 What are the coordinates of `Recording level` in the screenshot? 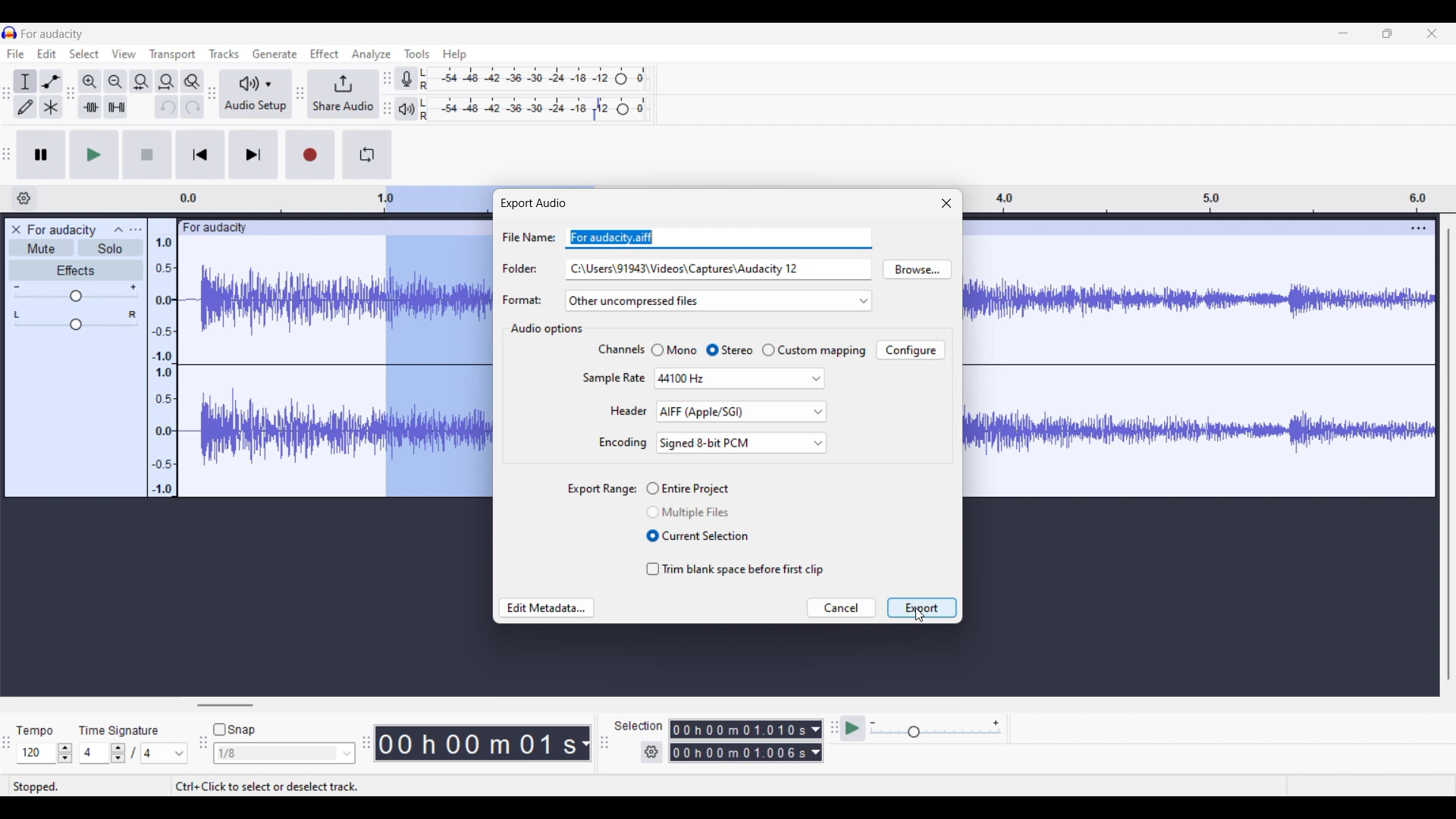 It's located at (535, 79).